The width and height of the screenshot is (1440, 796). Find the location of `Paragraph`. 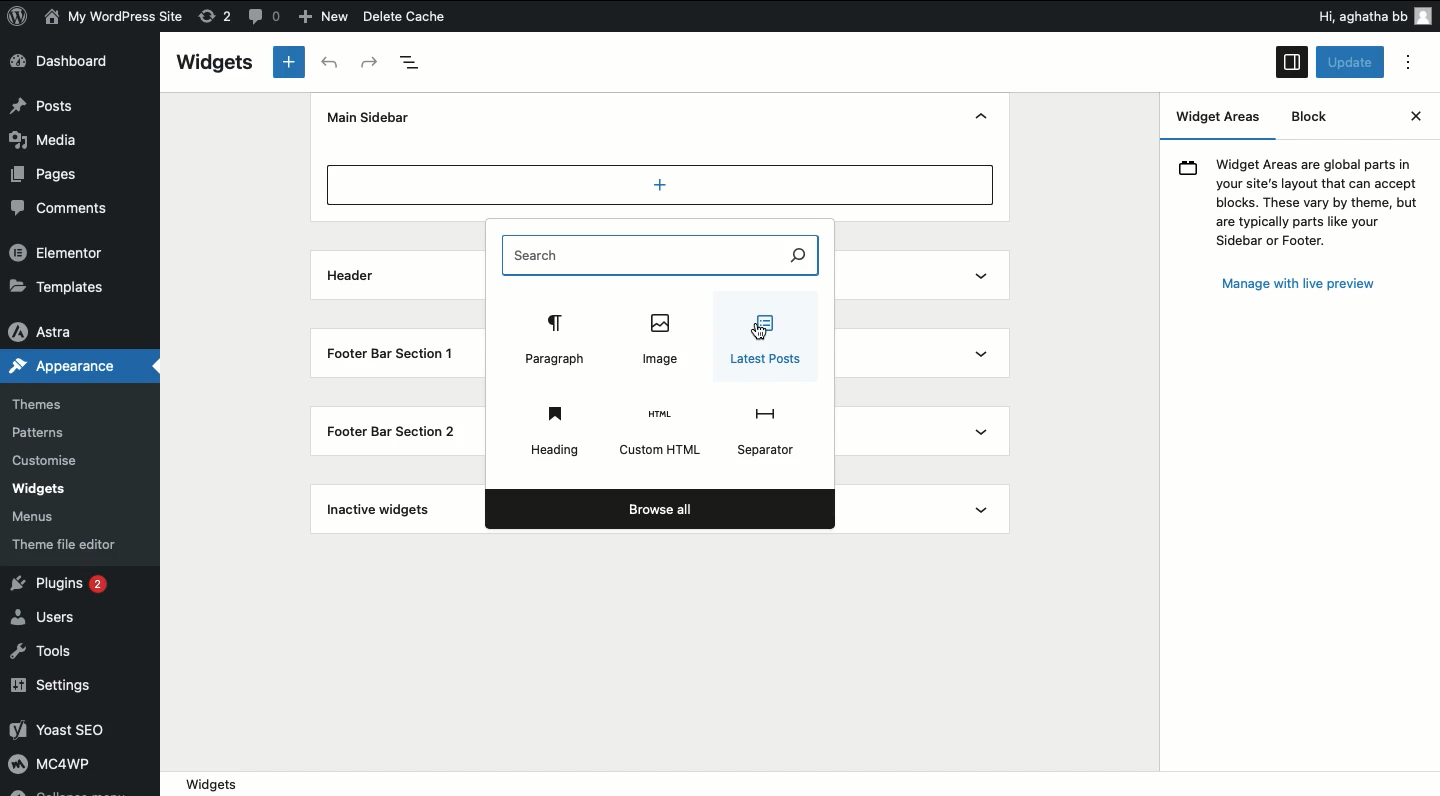

Paragraph is located at coordinates (553, 339).